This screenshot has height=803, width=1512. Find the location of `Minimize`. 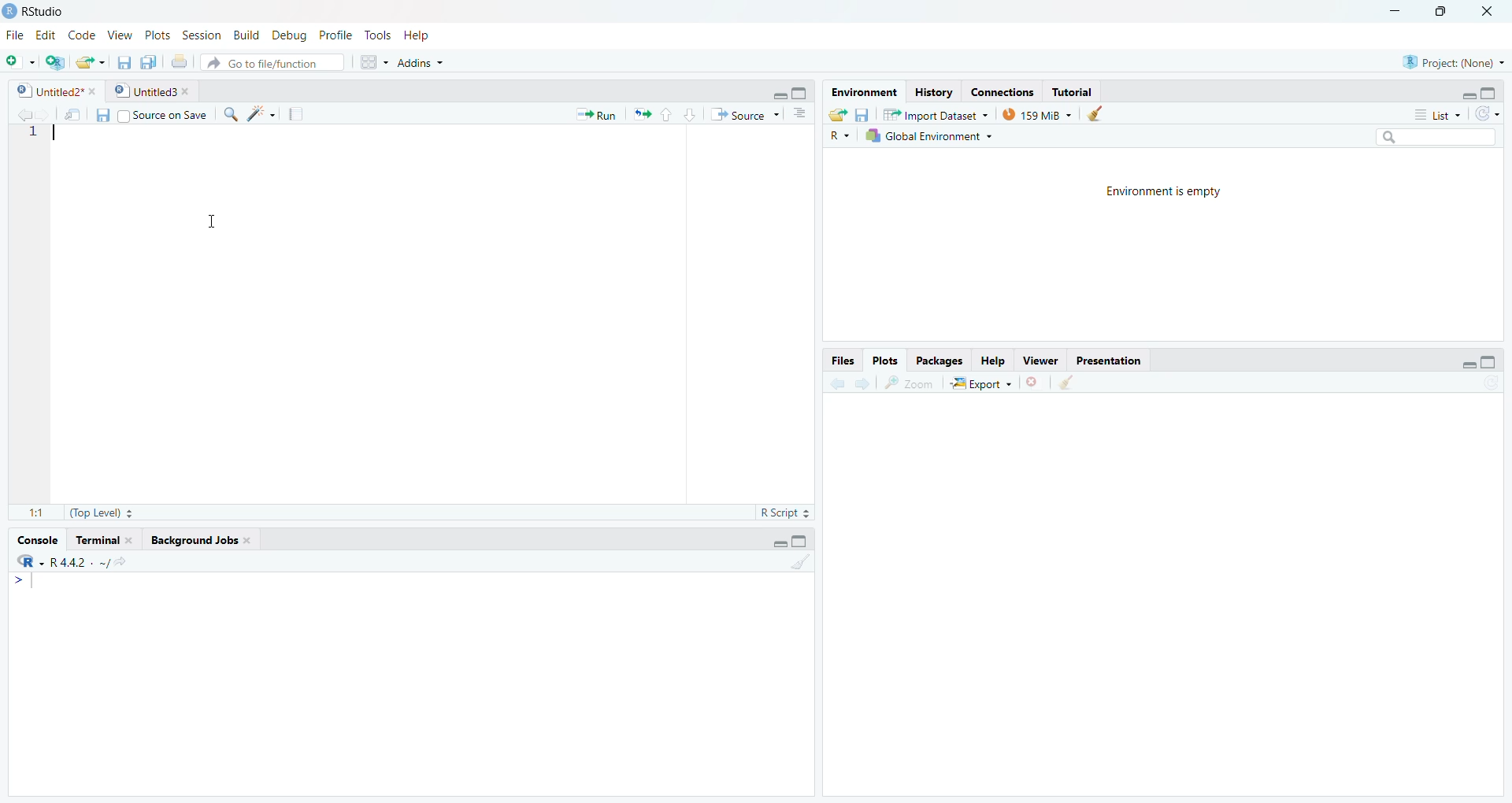

Minimize is located at coordinates (1464, 364).